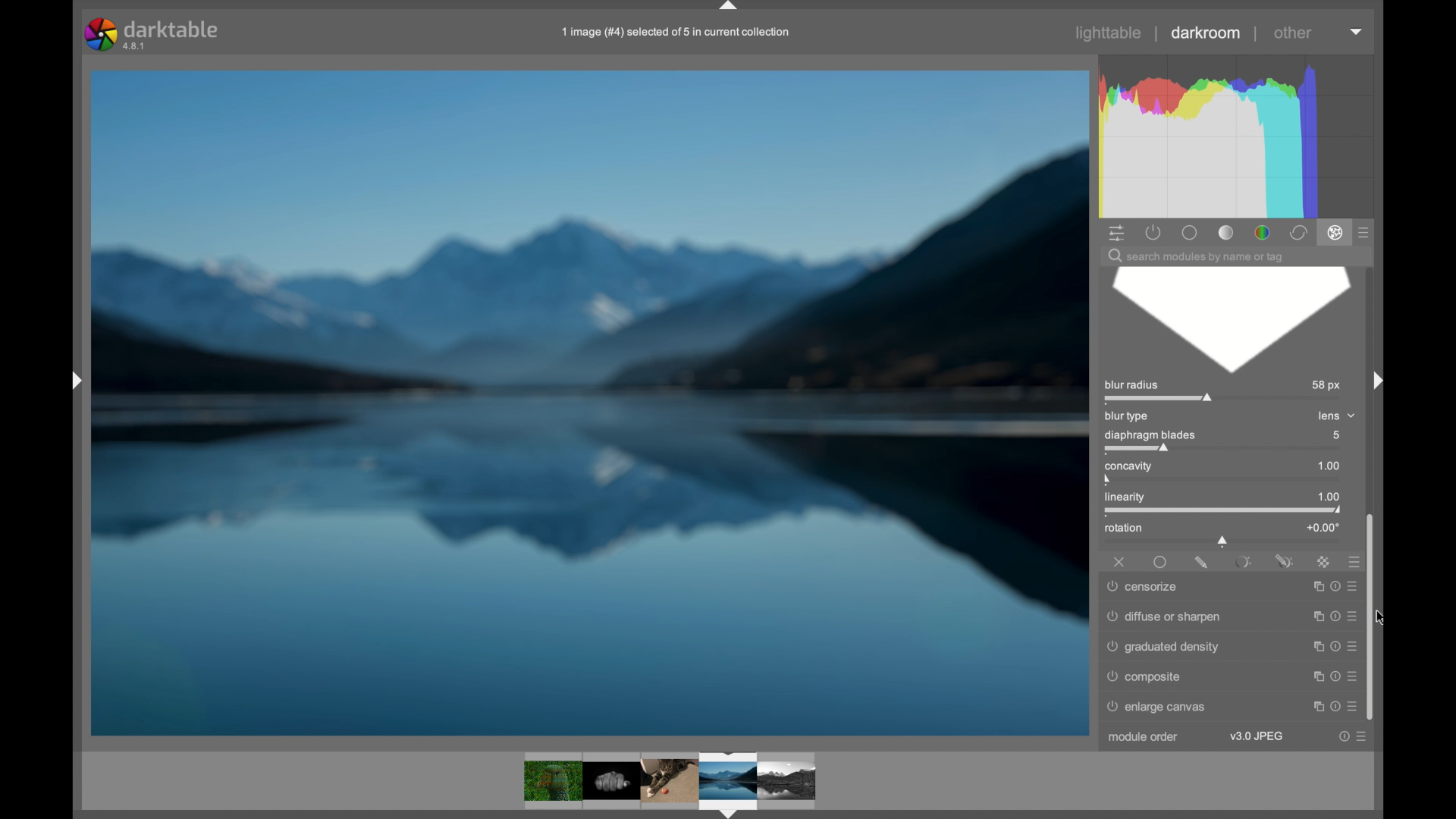 This screenshot has width=1456, height=819. Describe the element at coordinates (1124, 529) in the screenshot. I see `rotation` at that location.